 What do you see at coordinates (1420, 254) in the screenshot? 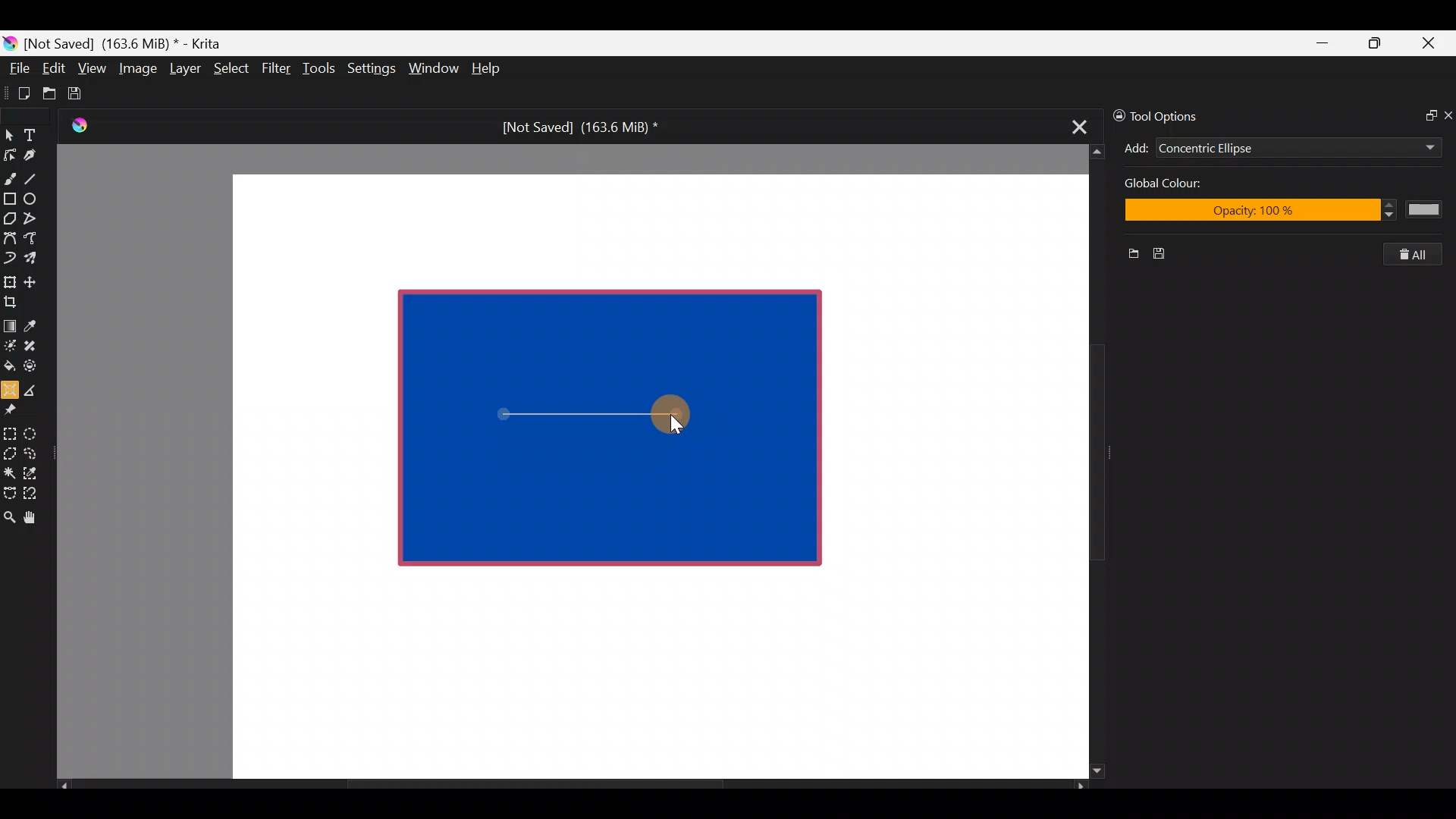
I see `Clear all` at bounding box center [1420, 254].